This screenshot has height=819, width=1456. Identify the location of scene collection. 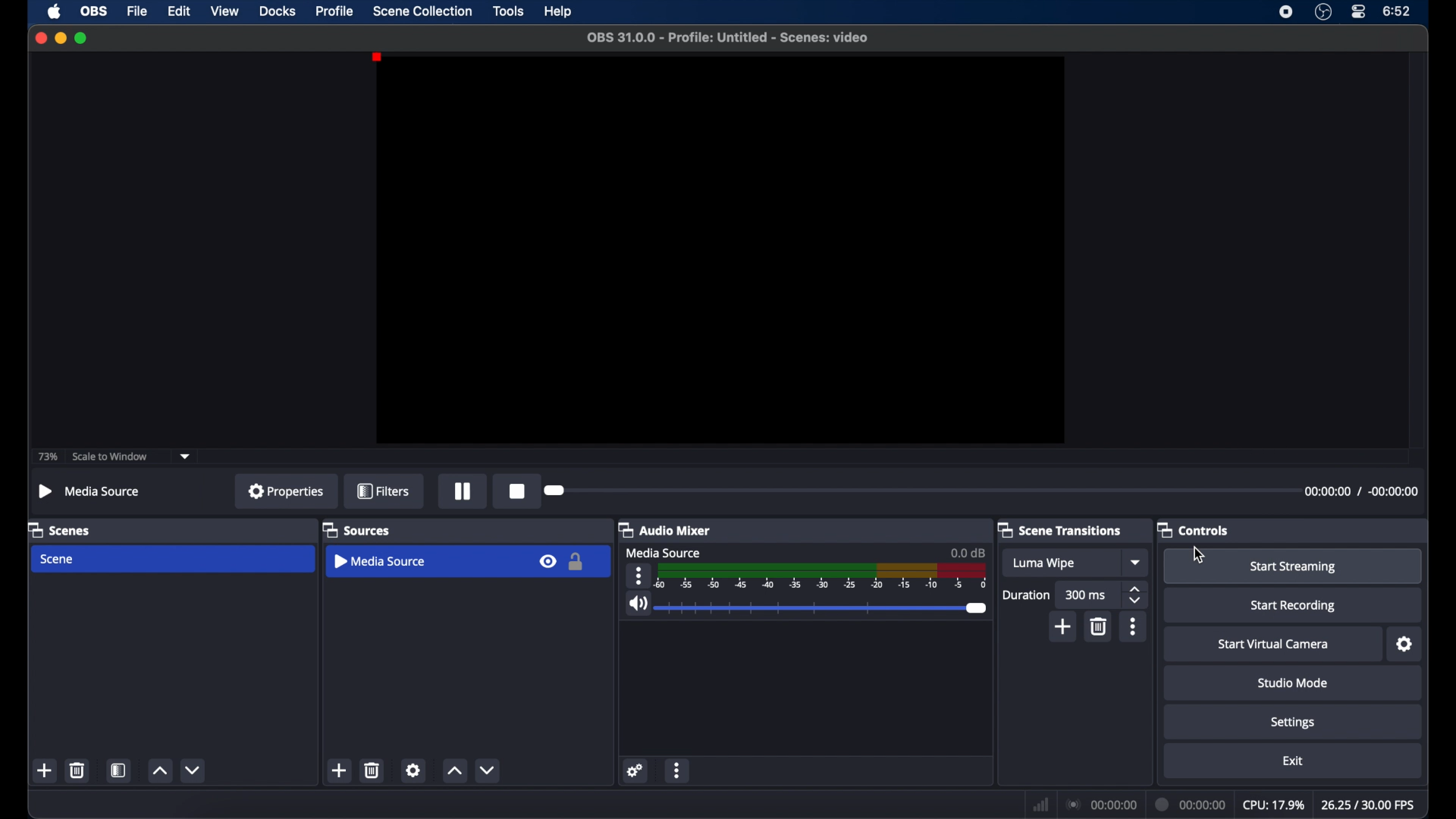
(422, 10).